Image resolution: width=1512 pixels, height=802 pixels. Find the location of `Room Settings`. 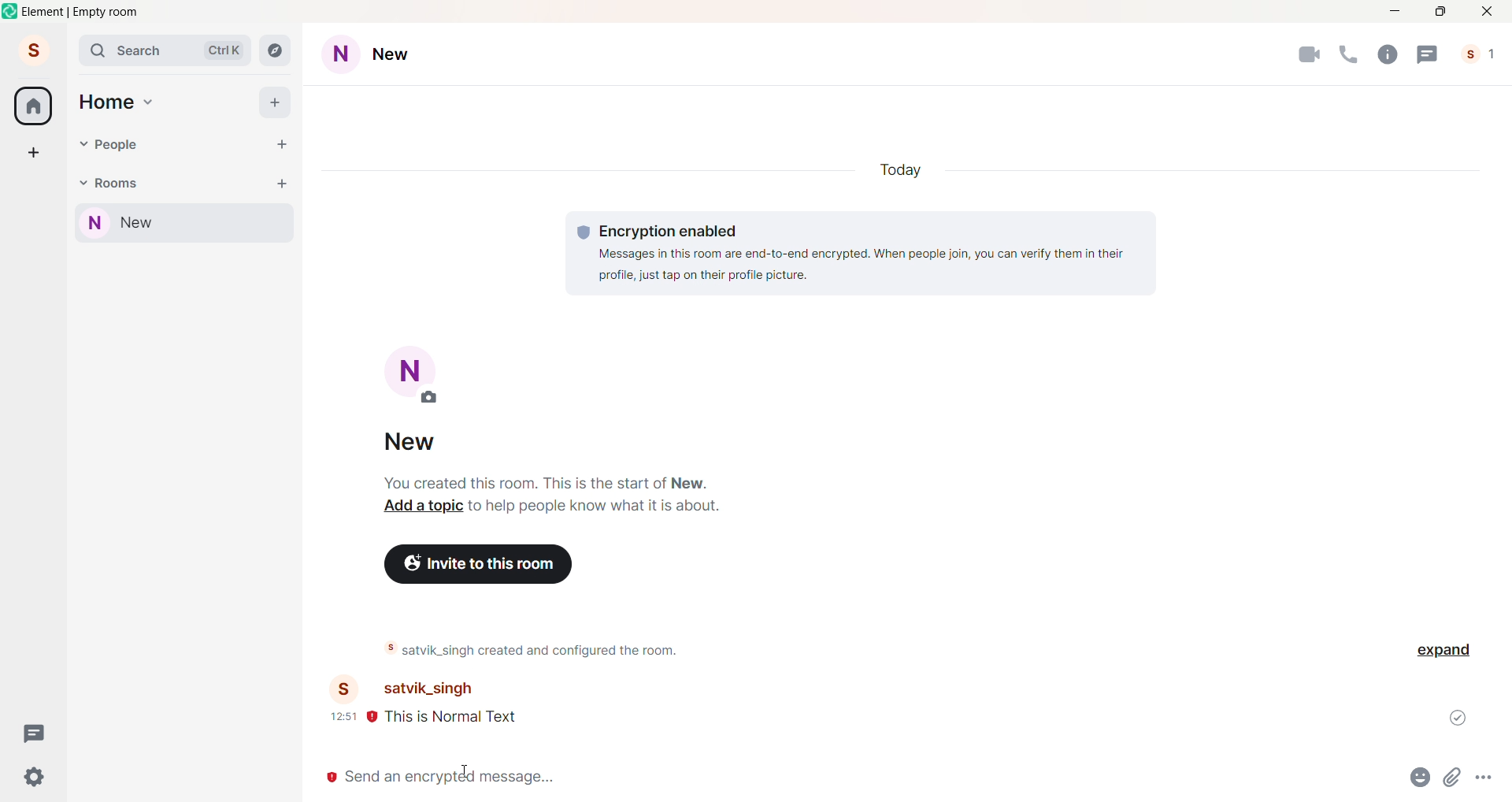

Room Settings is located at coordinates (383, 55).